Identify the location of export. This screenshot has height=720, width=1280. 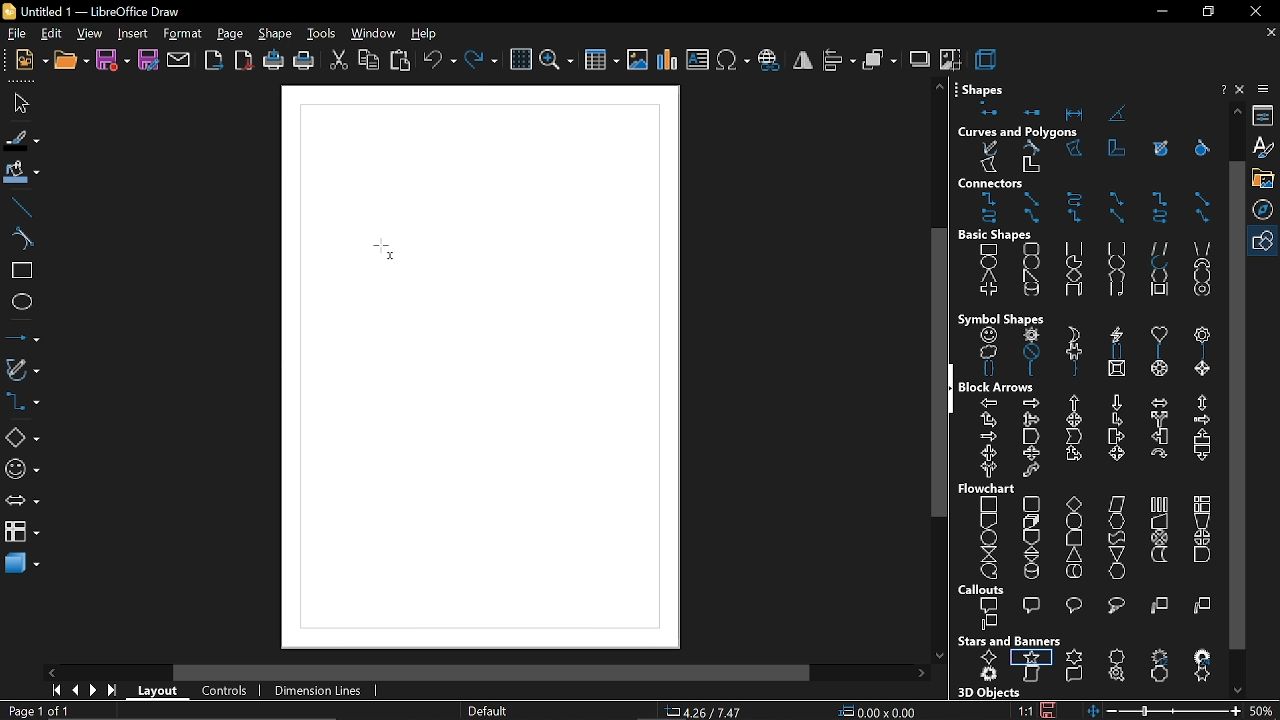
(212, 62).